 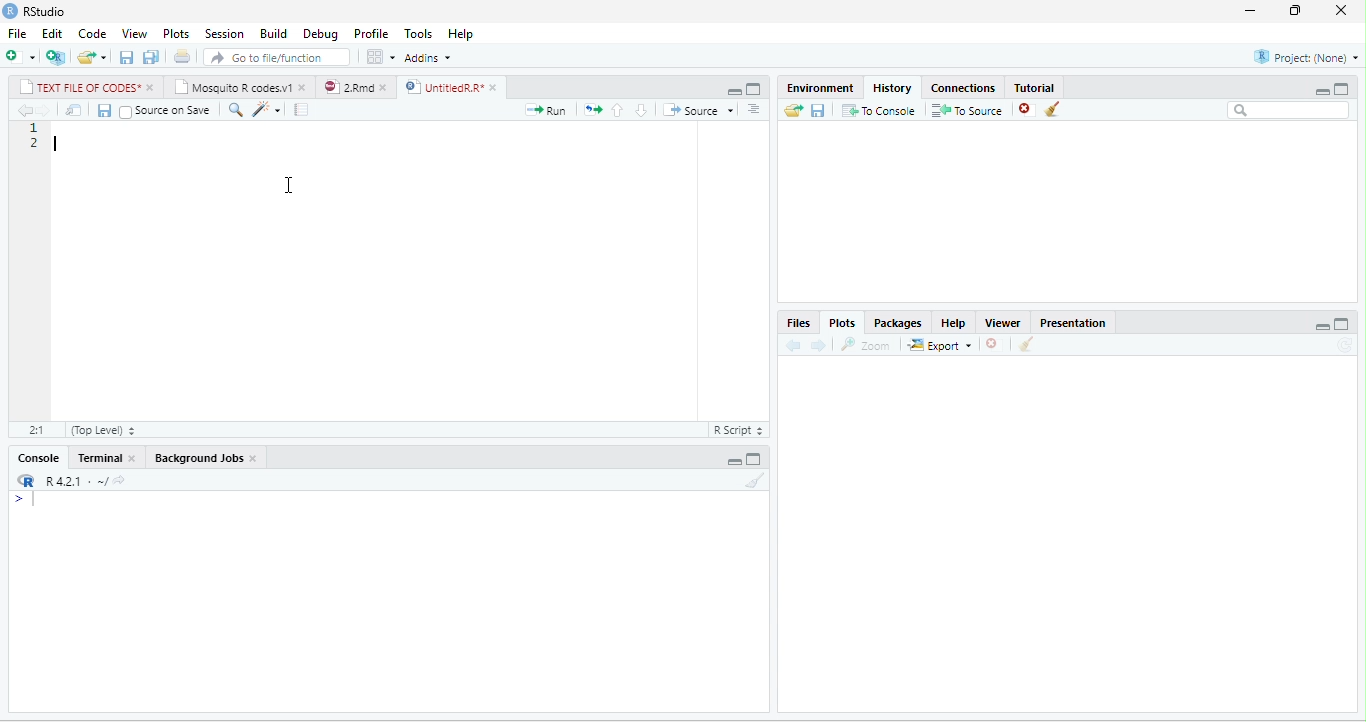 What do you see at coordinates (104, 430) in the screenshot?
I see `Top Level` at bounding box center [104, 430].